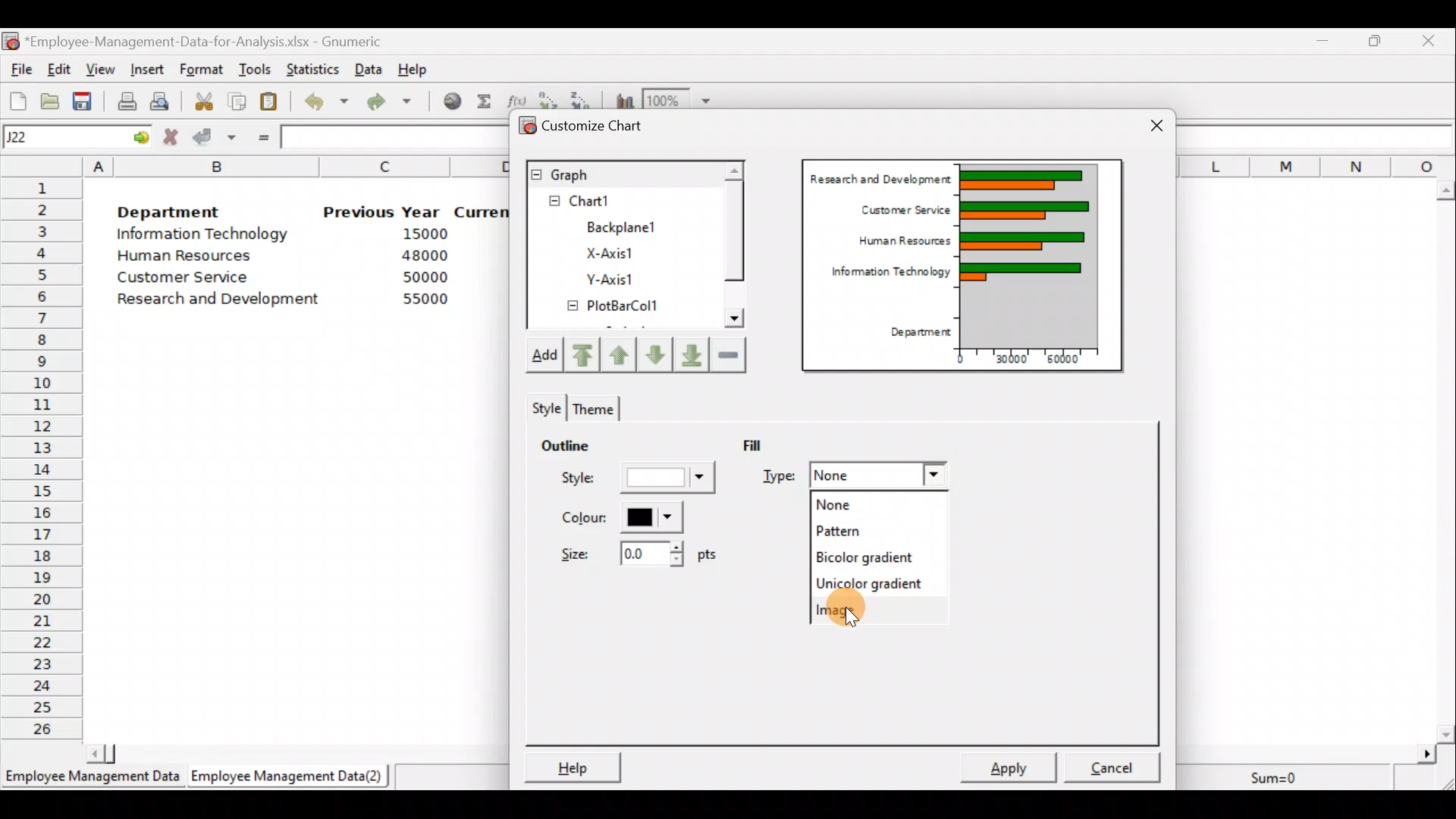 The width and height of the screenshot is (1456, 819). I want to click on Cancel change, so click(172, 137).